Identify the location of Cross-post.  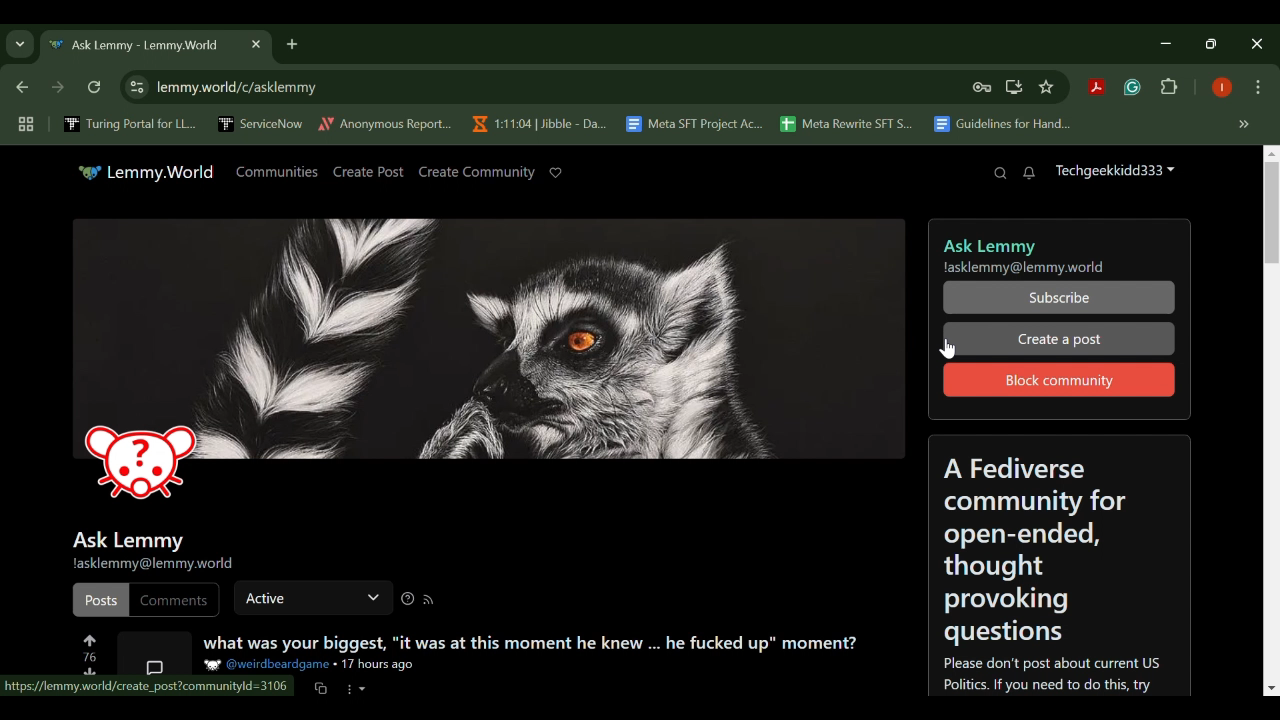
(320, 687).